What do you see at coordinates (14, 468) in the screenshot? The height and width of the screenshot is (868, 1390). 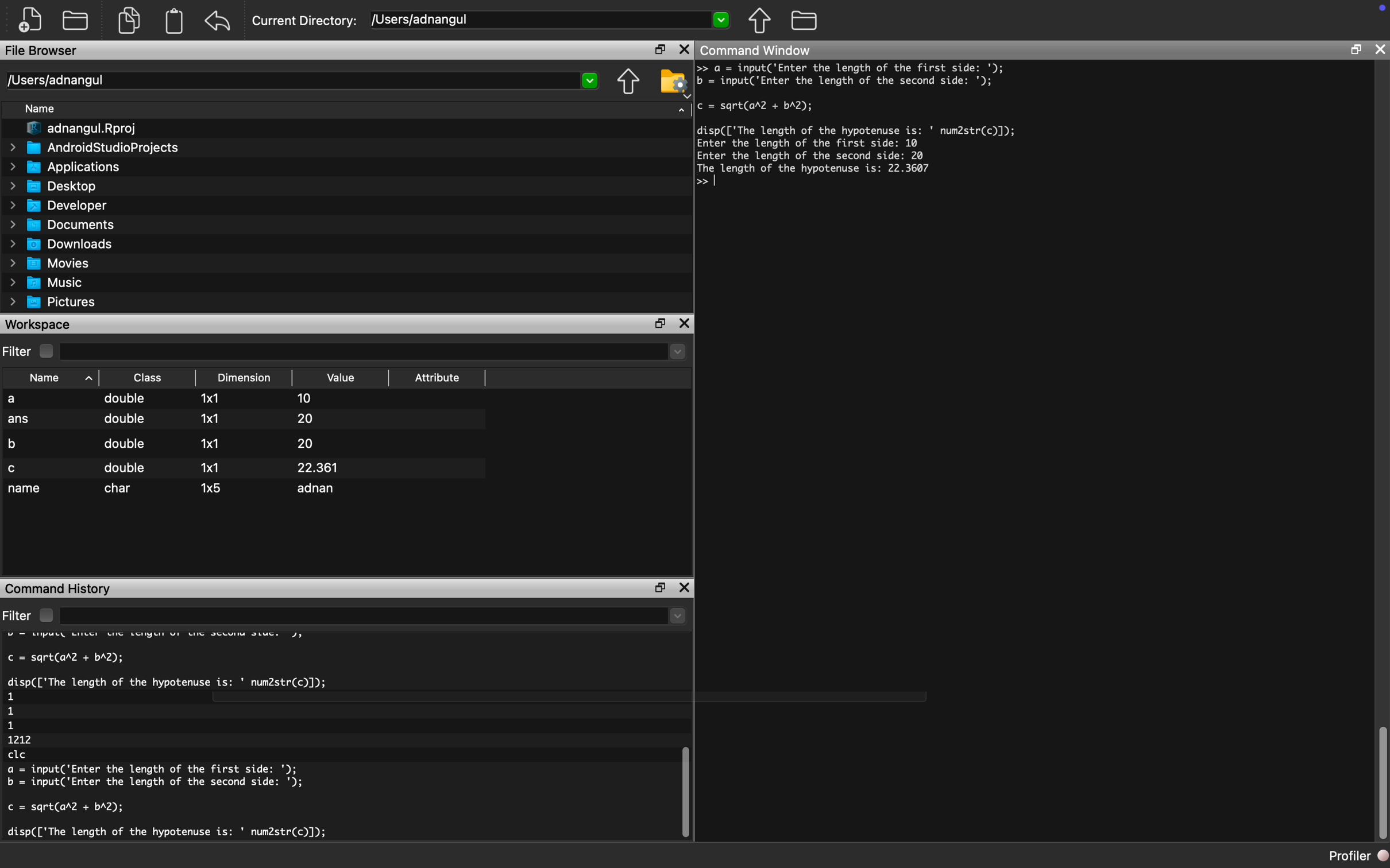 I see `c` at bounding box center [14, 468].